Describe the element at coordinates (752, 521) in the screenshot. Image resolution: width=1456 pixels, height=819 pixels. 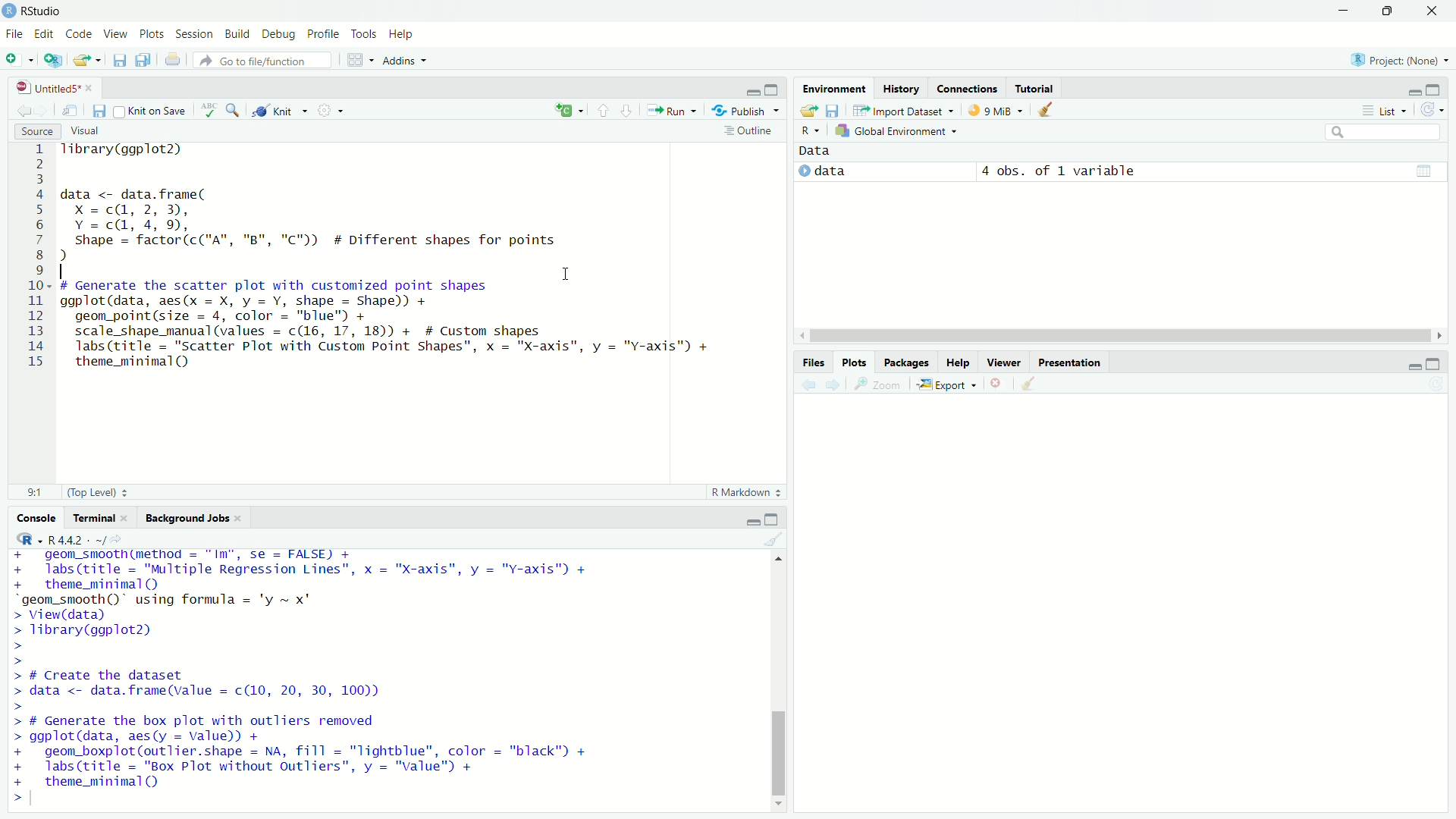
I see `minimize` at that location.